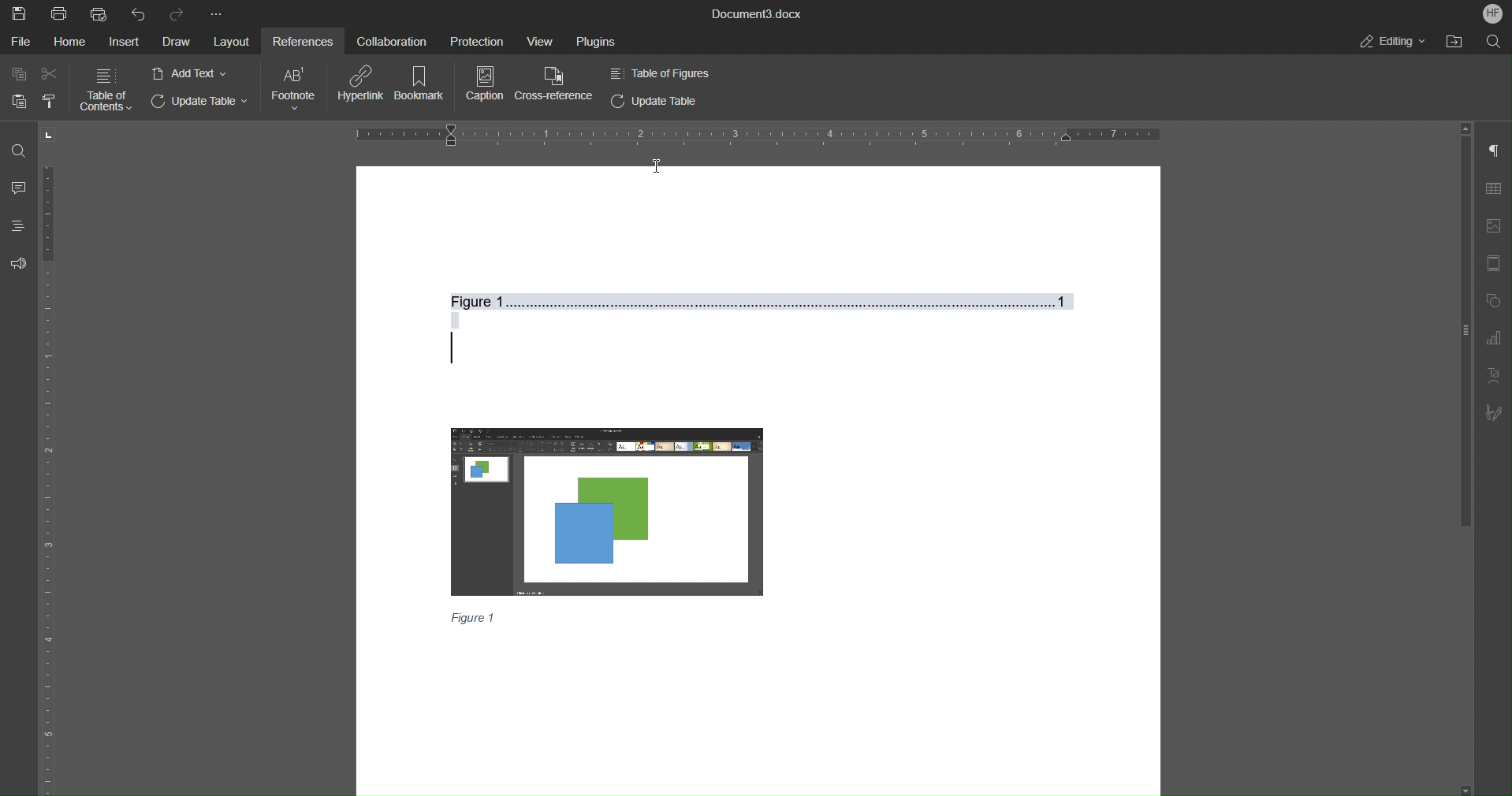 Image resolution: width=1512 pixels, height=796 pixels. What do you see at coordinates (423, 85) in the screenshot?
I see `Bookmark` at bounding box center [423, 85].